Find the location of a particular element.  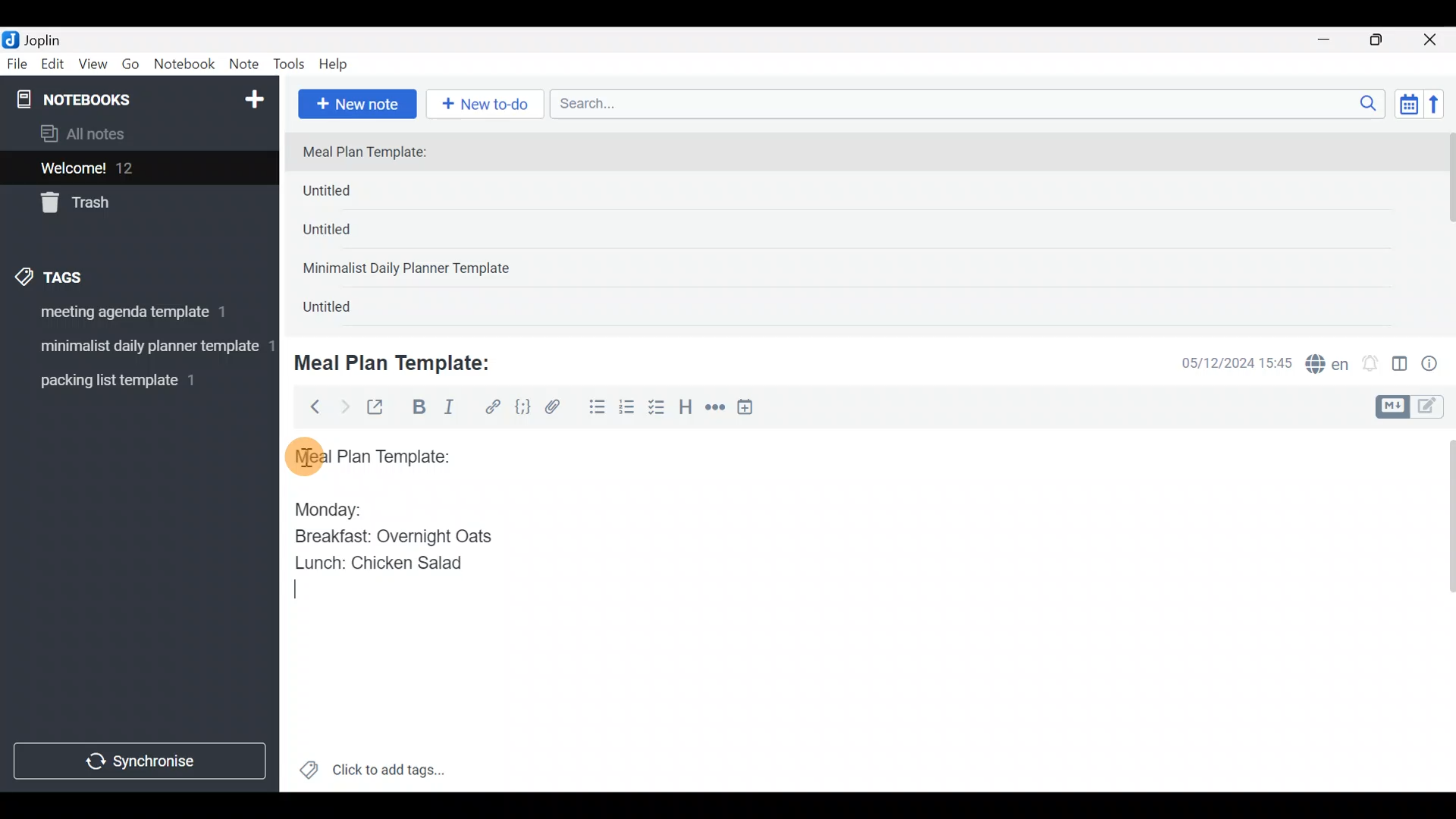

Go is located at coordinates (130, 67).